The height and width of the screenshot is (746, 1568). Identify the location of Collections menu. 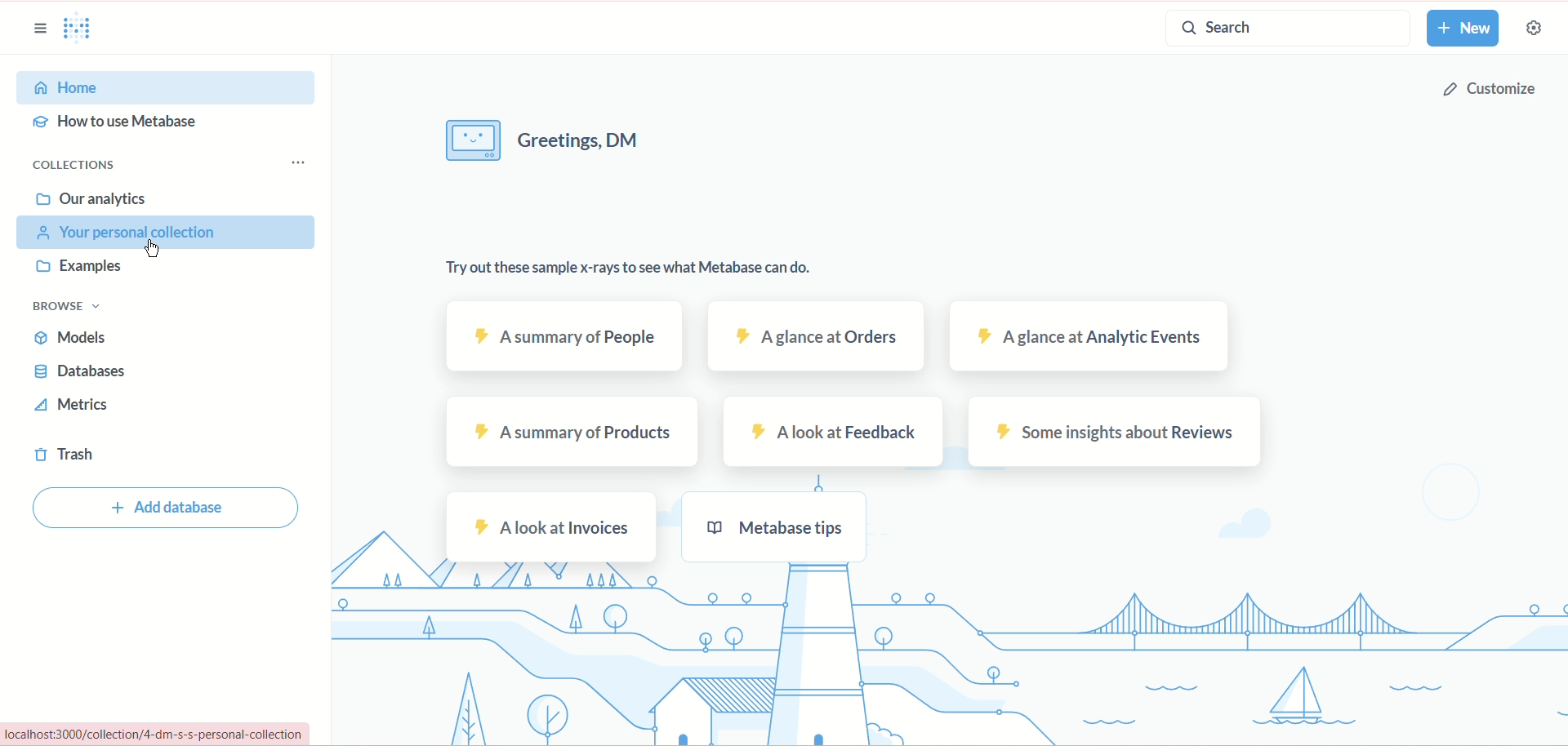
(293, 162).